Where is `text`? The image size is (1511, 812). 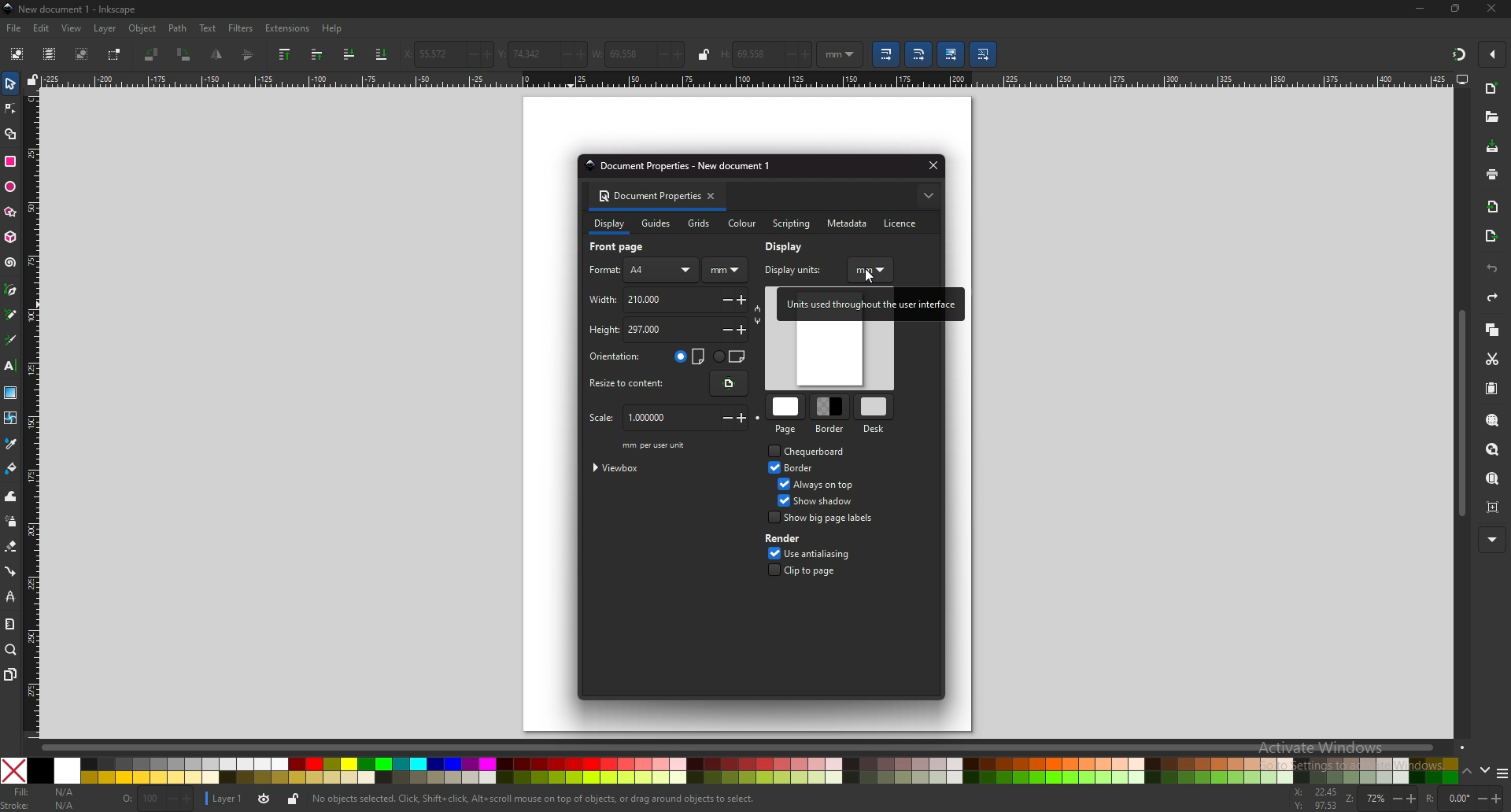
text is located at coordinates (11, 364).